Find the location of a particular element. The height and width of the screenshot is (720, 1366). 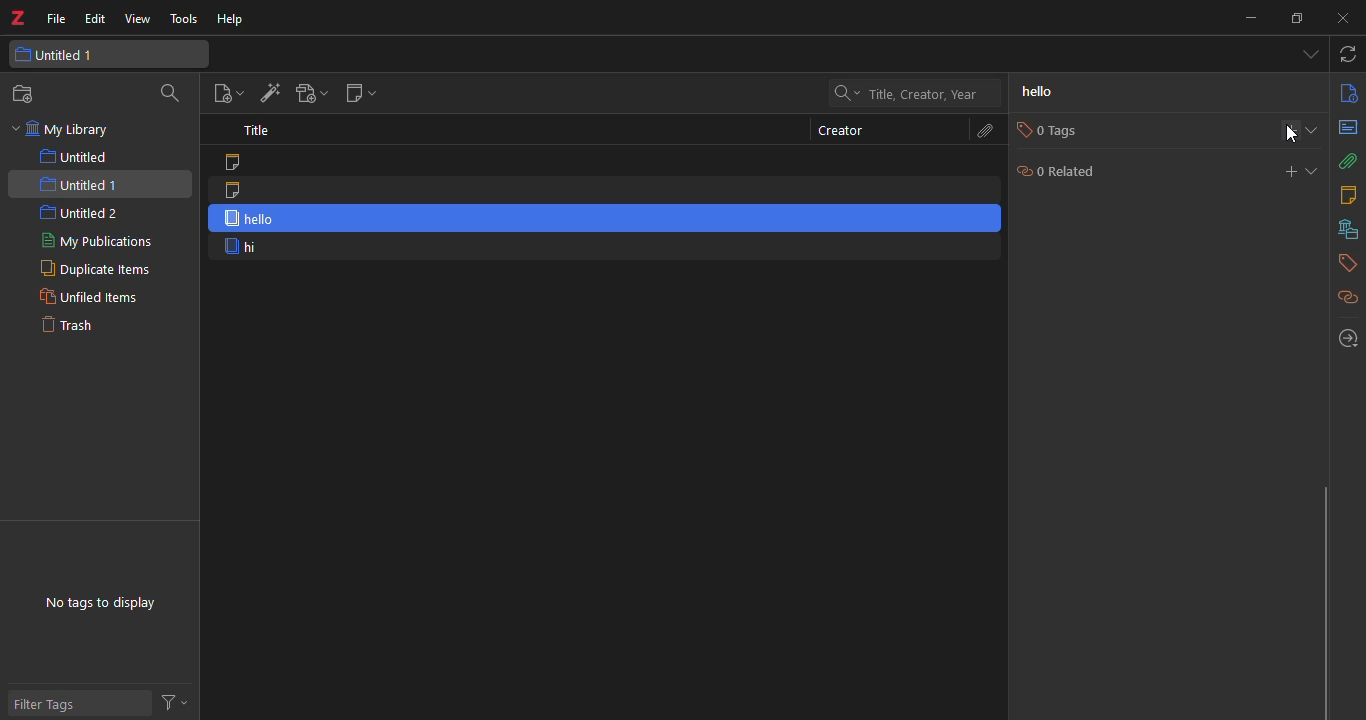

untitled 1 is located at coordinates (80, 183).